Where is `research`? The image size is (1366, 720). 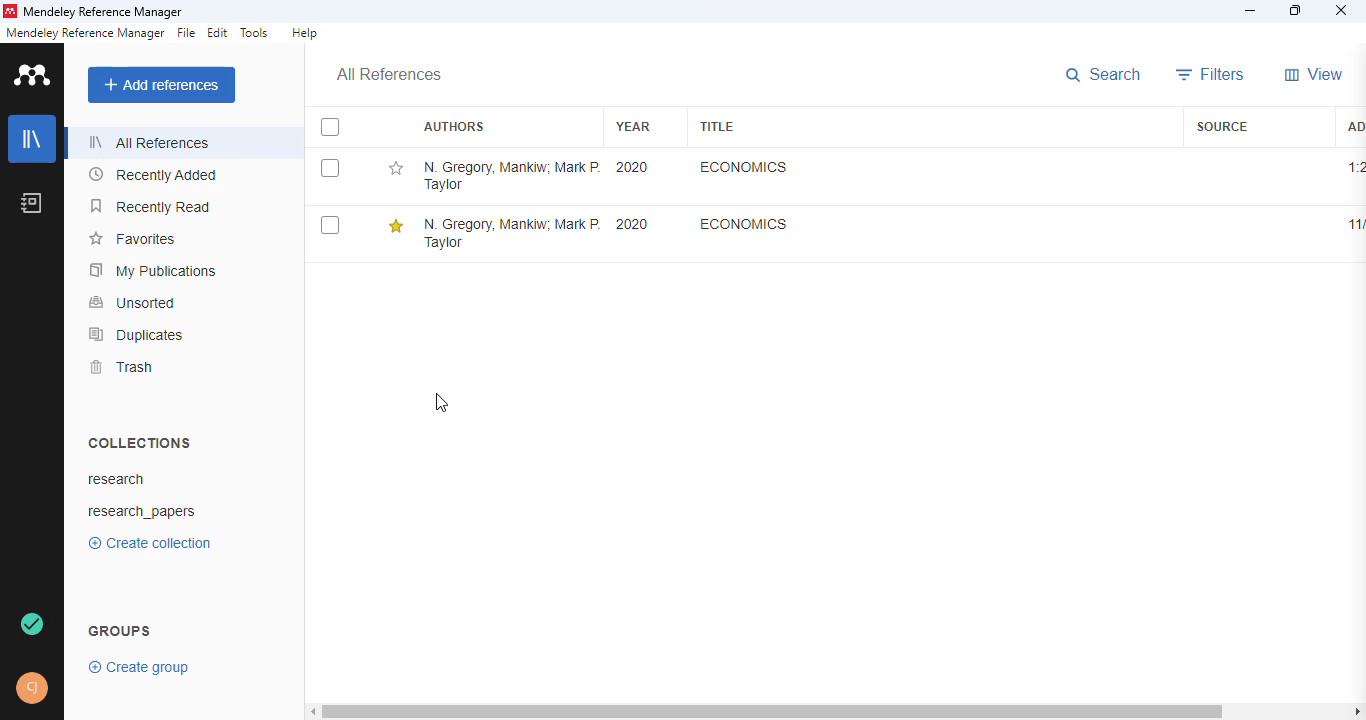
research is located at coordinates (116, 479).